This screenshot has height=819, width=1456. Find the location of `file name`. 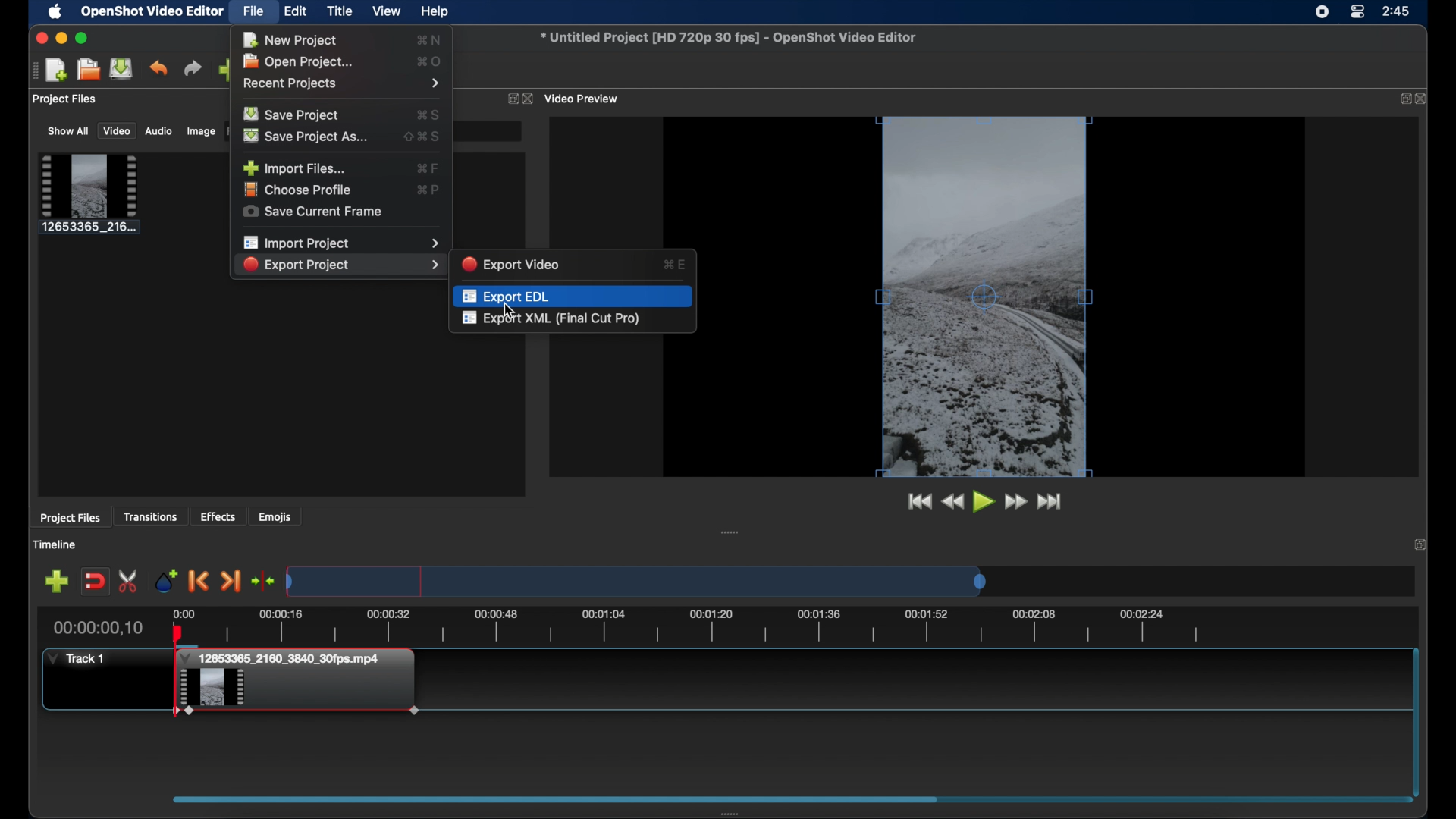

file name is located at coordinates (731, 38).